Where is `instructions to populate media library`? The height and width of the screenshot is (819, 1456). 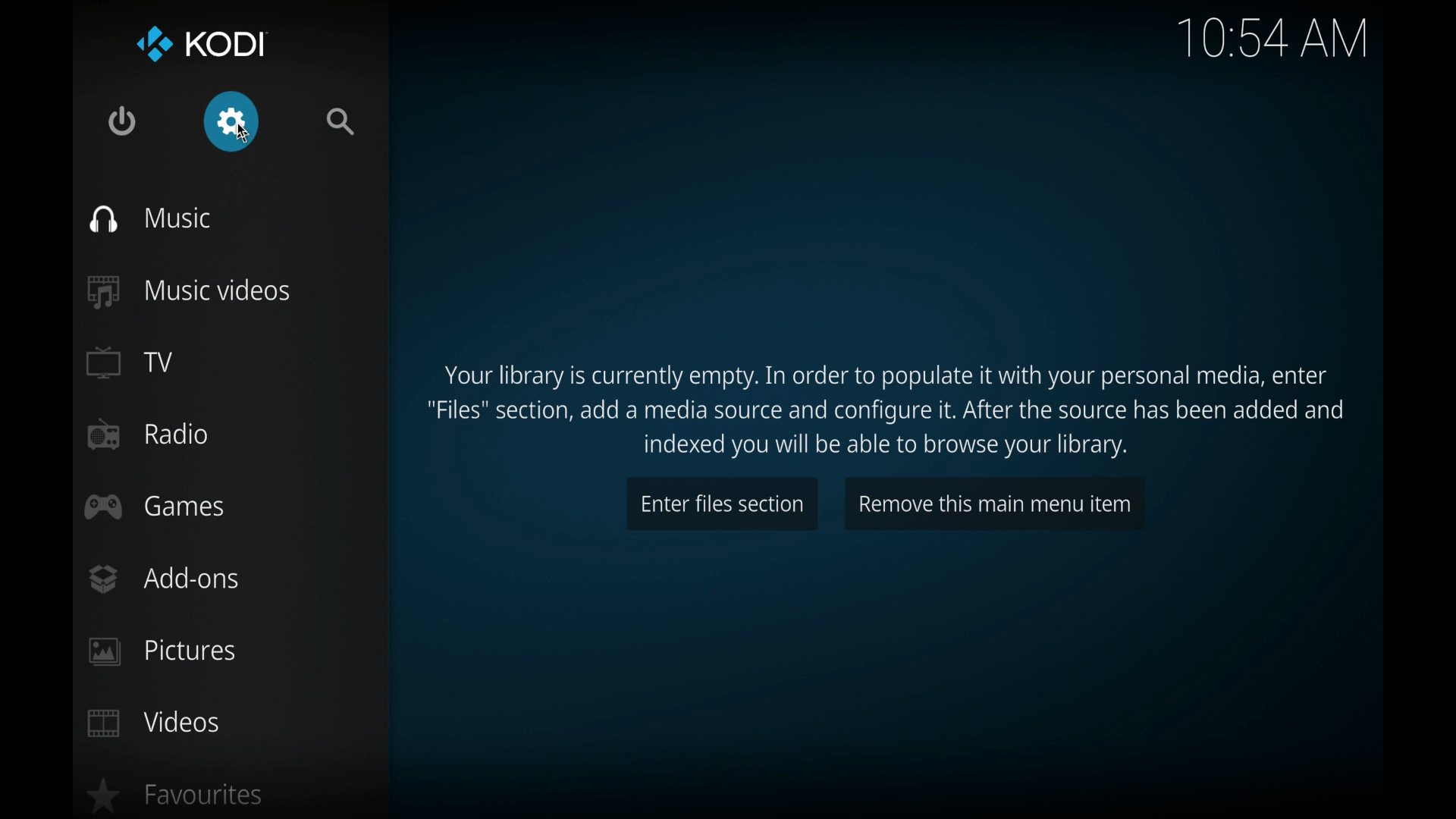 instructions to populate media library is located at coordinates (883, 412).